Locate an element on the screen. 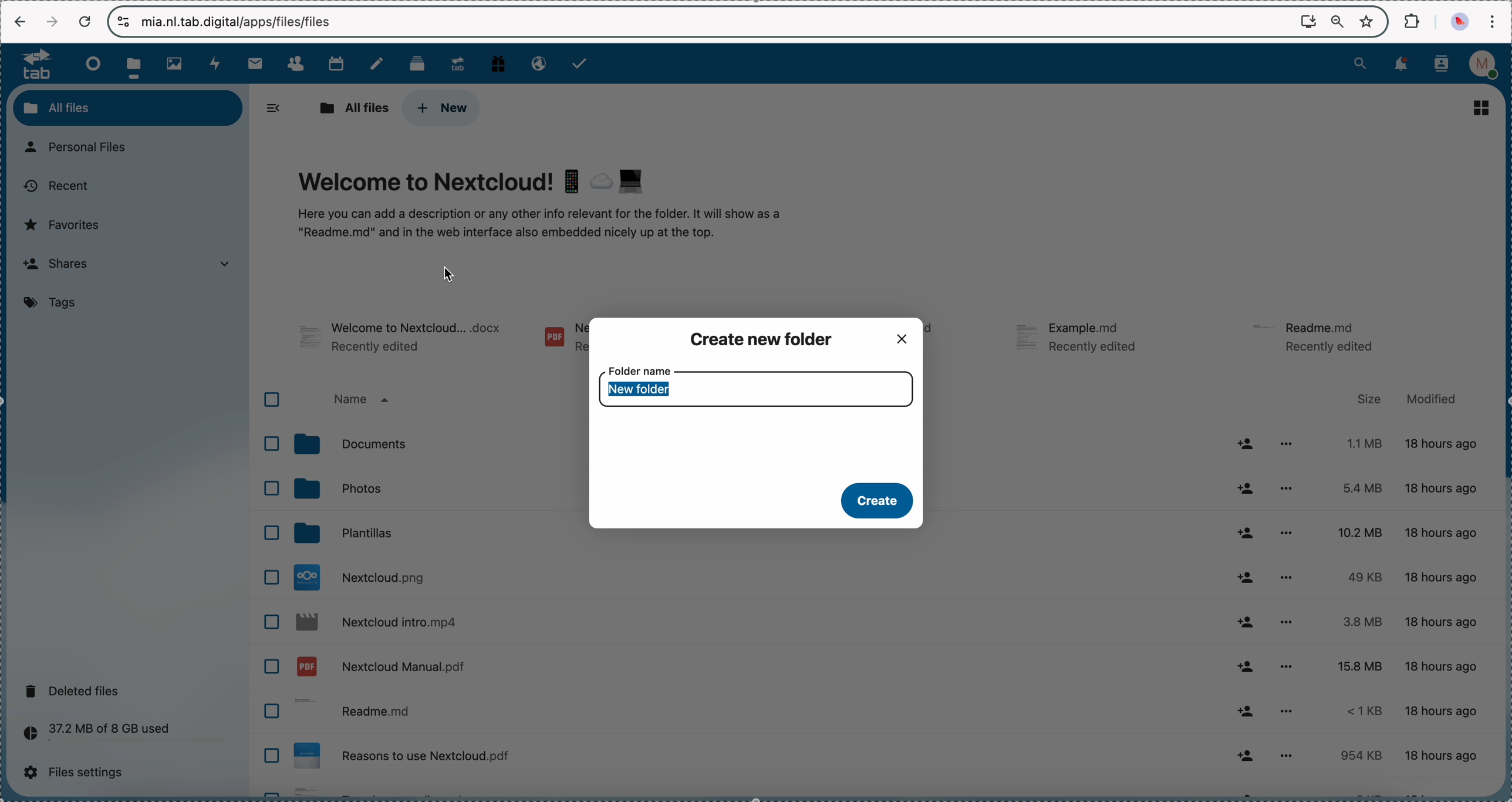  files settings is located at coordinates (79, 773).